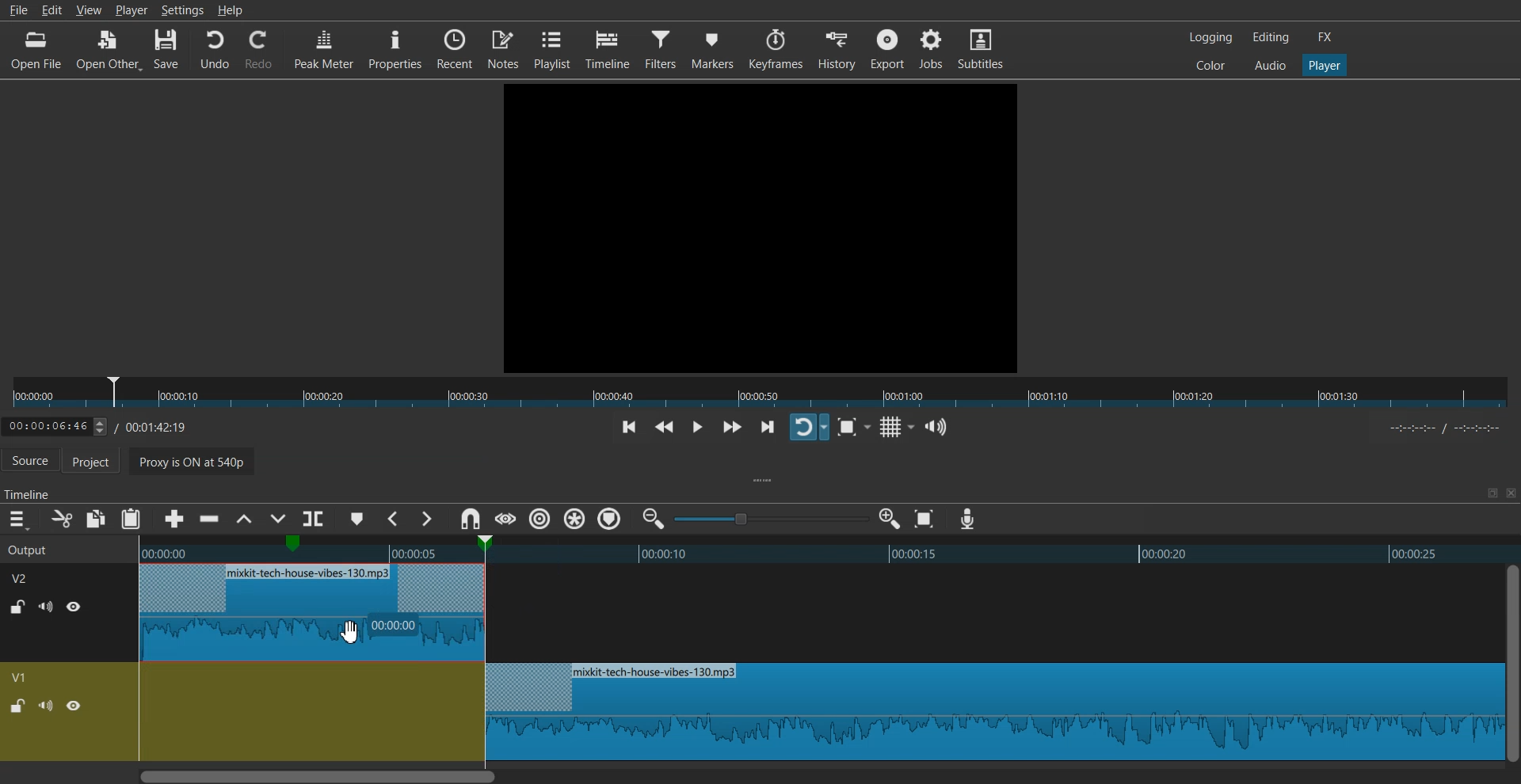 The image size is (1521, 784). What do you see at coordinates (552, 48) in the screenshot?
I see `Playlist` at bounding box center [552, 48].